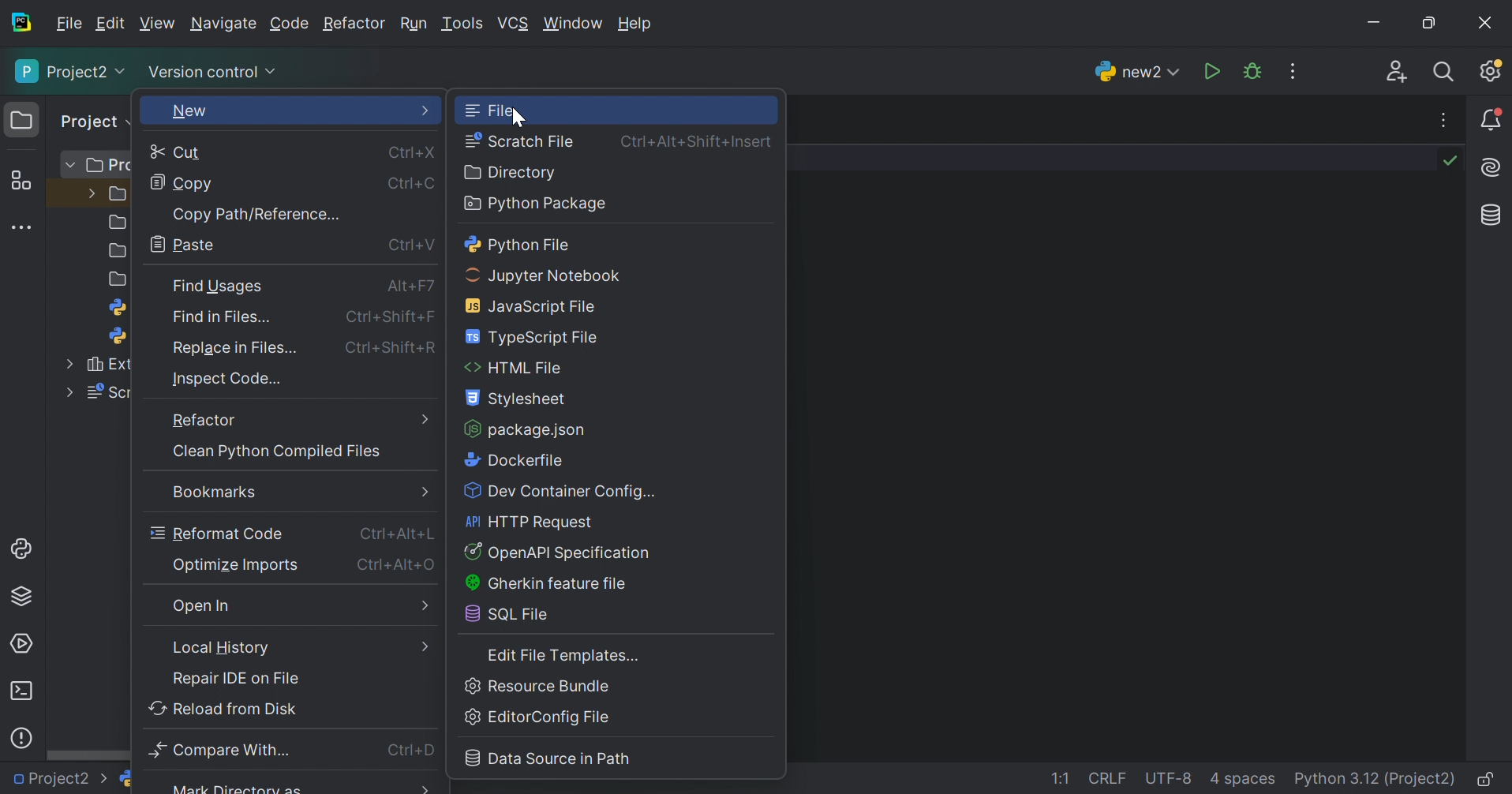 The width and height of the screenshot is (1512, 794). Describe the element at coordinates (22, 691) in the screenshot. I see `Terminal` at that location.